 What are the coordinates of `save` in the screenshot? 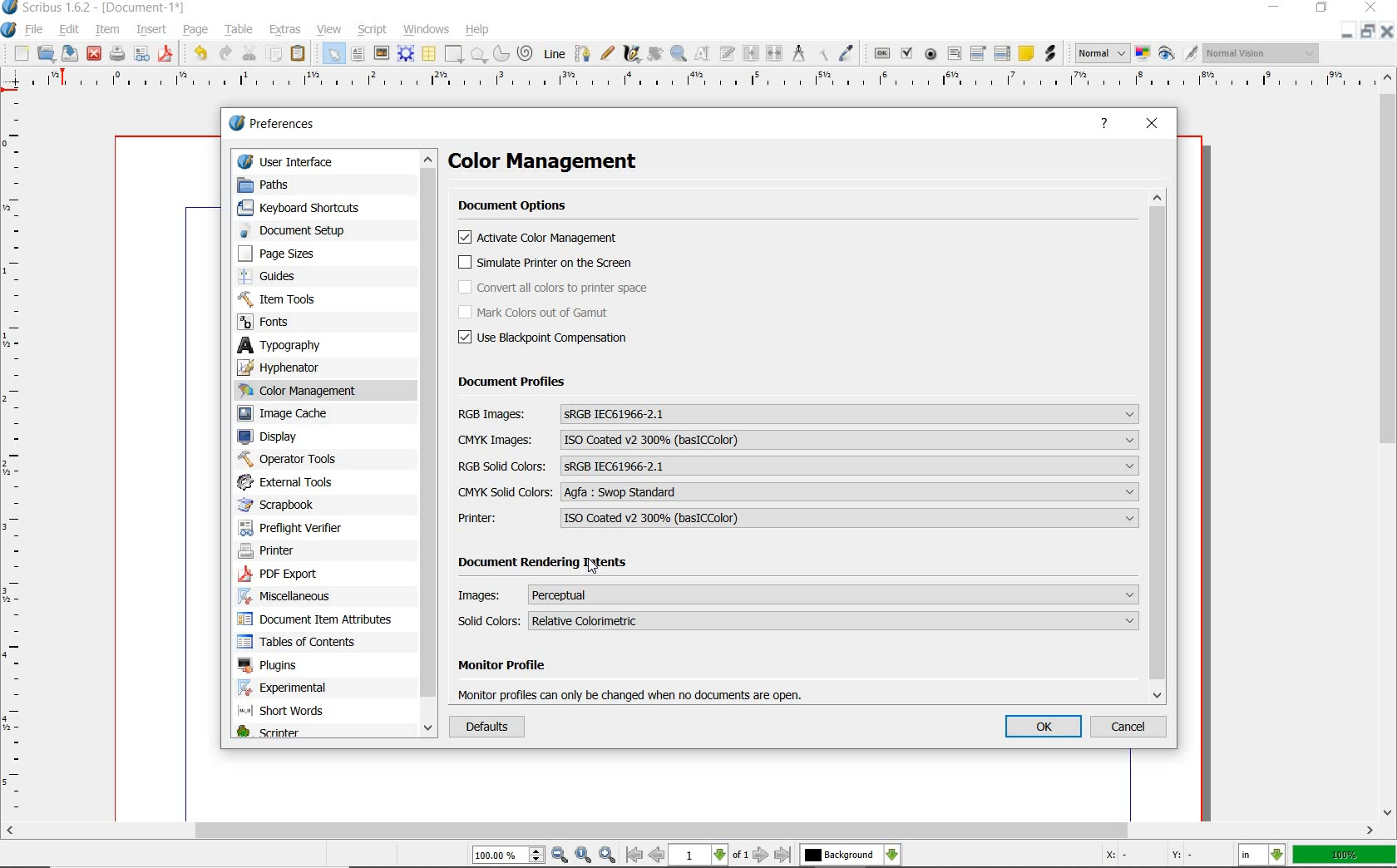 It's located at (71, 53).